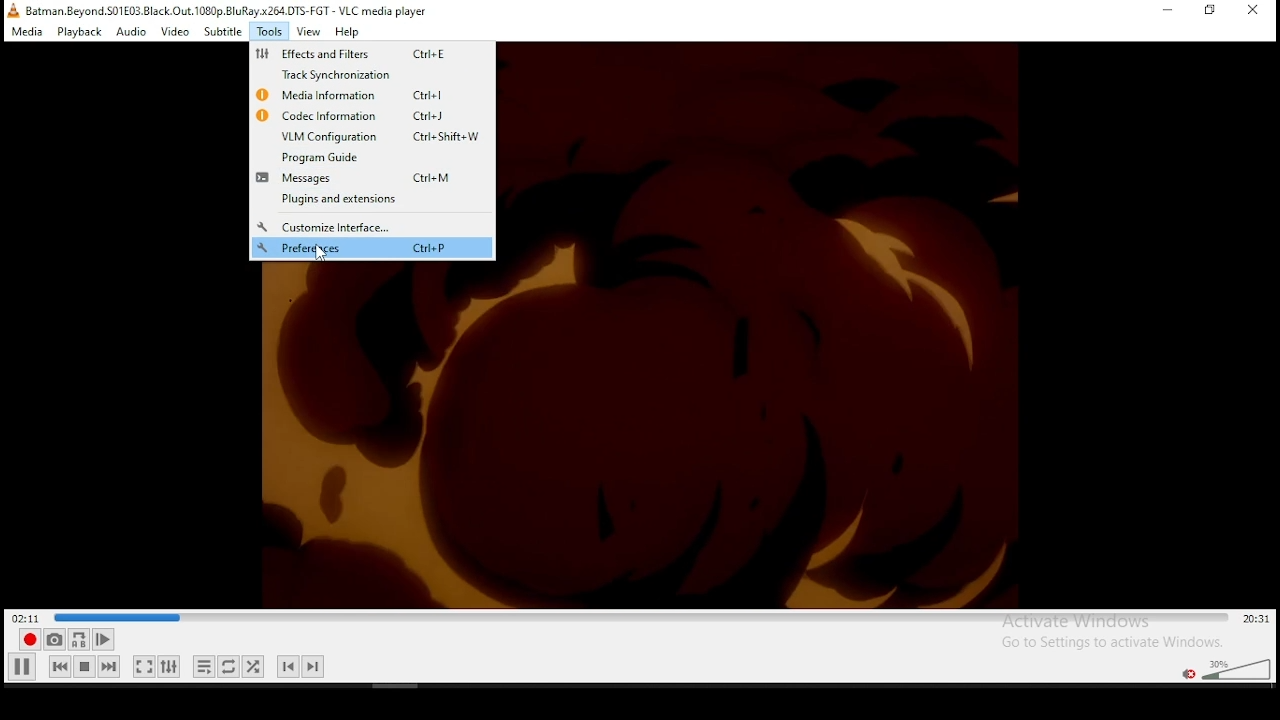 The image size is (1280, 720). What do you see at coordinates (27, 616) in the screenshot?
I see `elapsed time` at bounding box center [27, 616].